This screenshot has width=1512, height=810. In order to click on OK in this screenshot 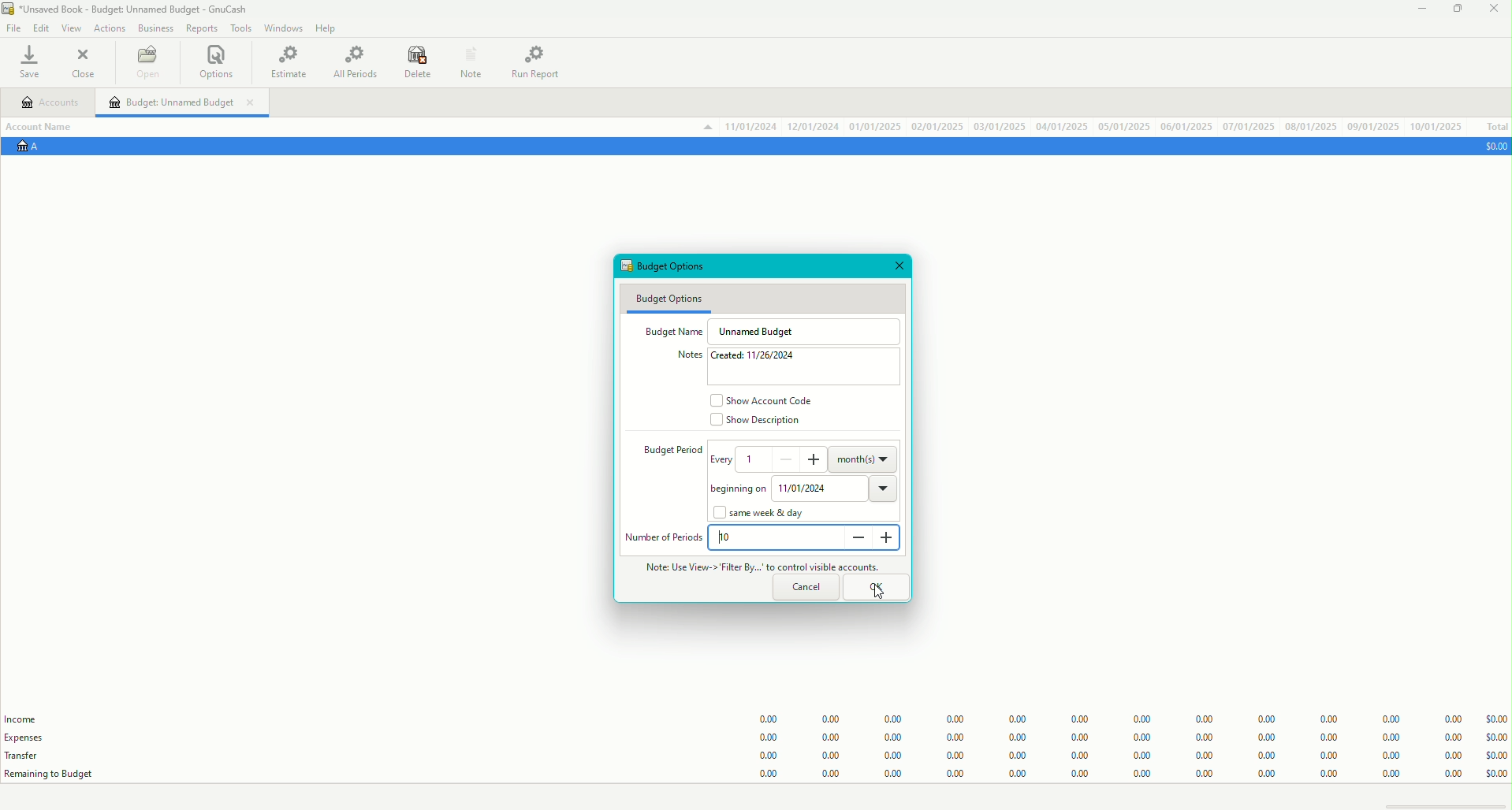, I will do `click(879, 585)`.